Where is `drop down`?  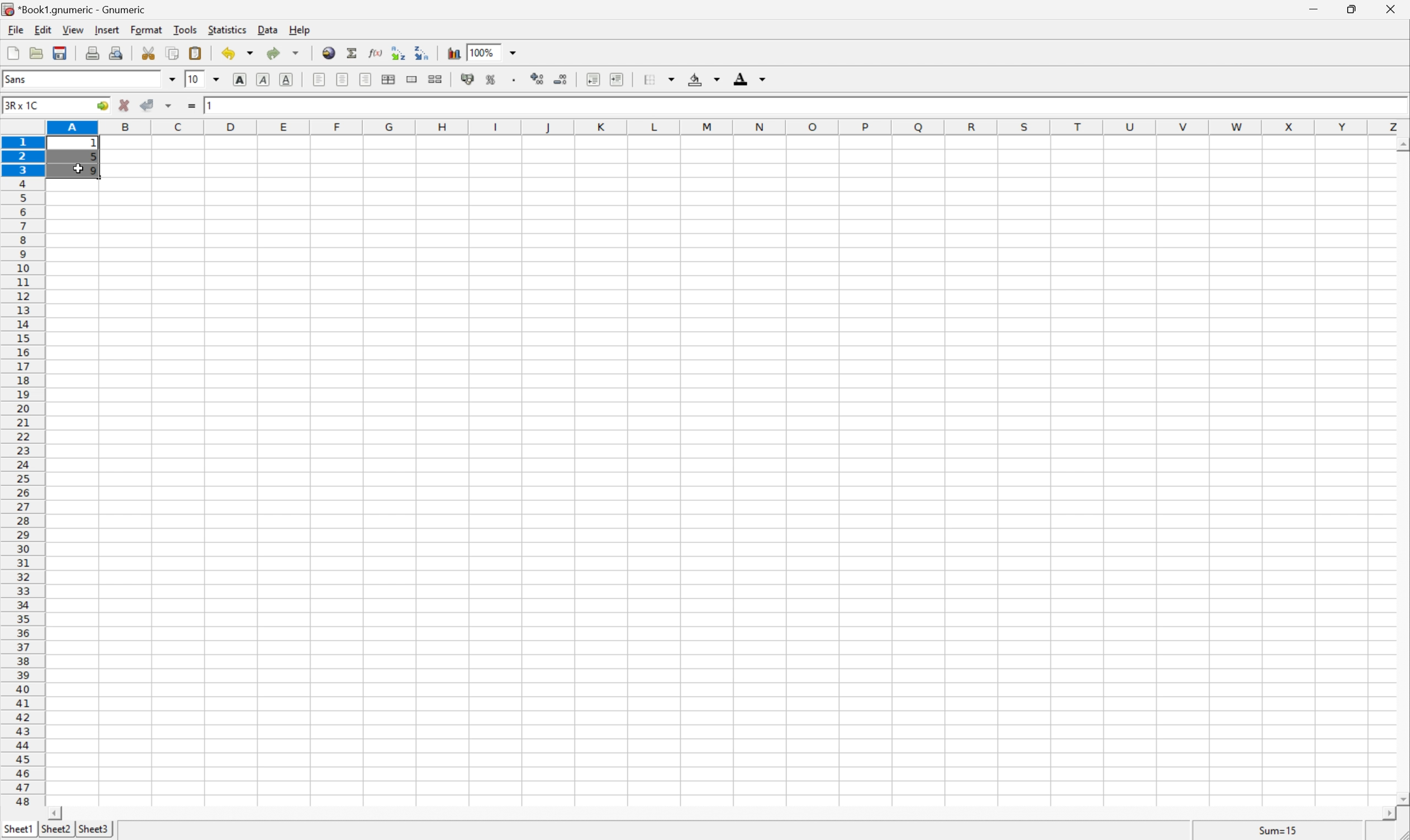 drop down is located at coordinates (220, 79).